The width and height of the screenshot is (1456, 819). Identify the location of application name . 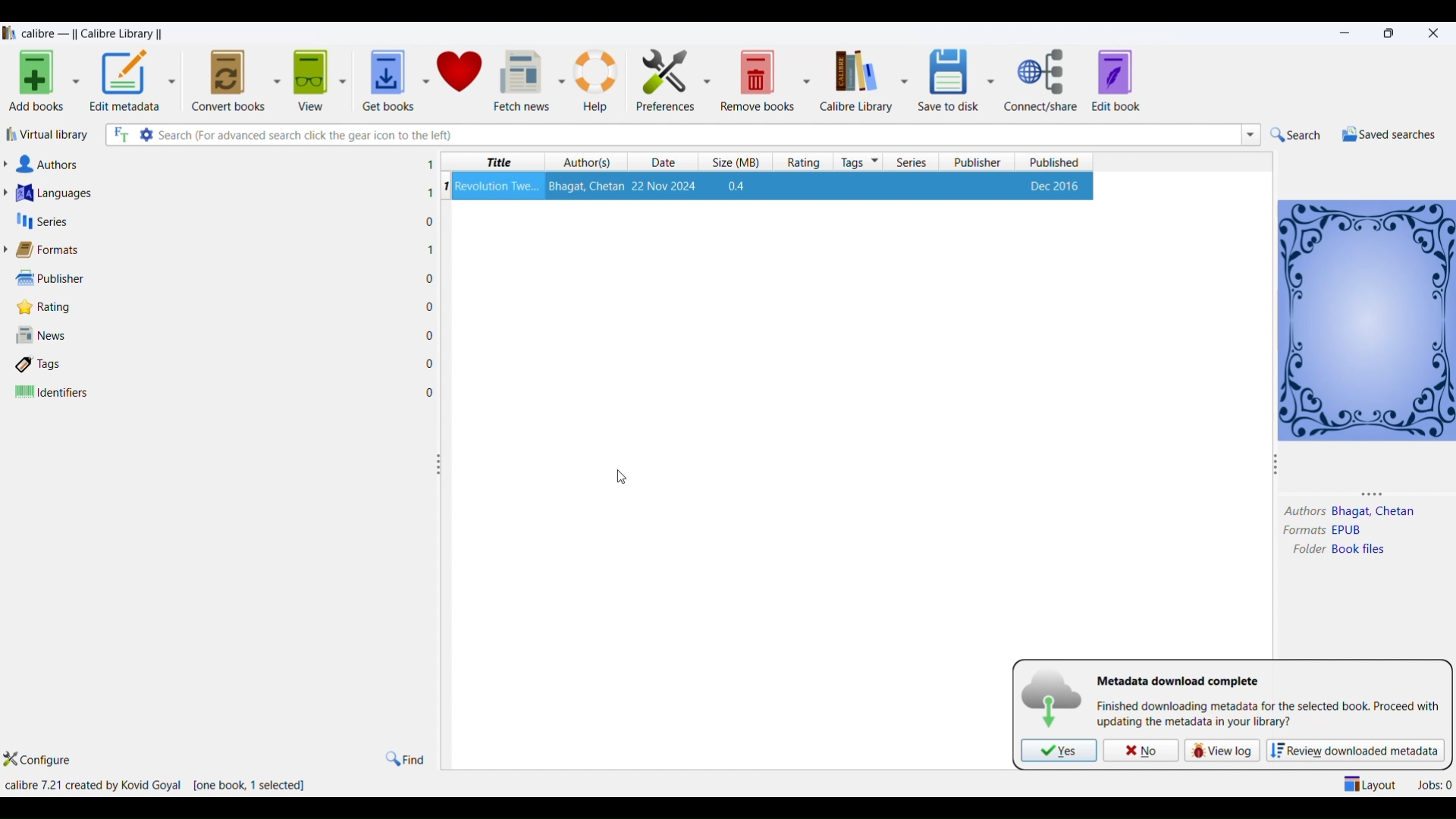
(95, 32).